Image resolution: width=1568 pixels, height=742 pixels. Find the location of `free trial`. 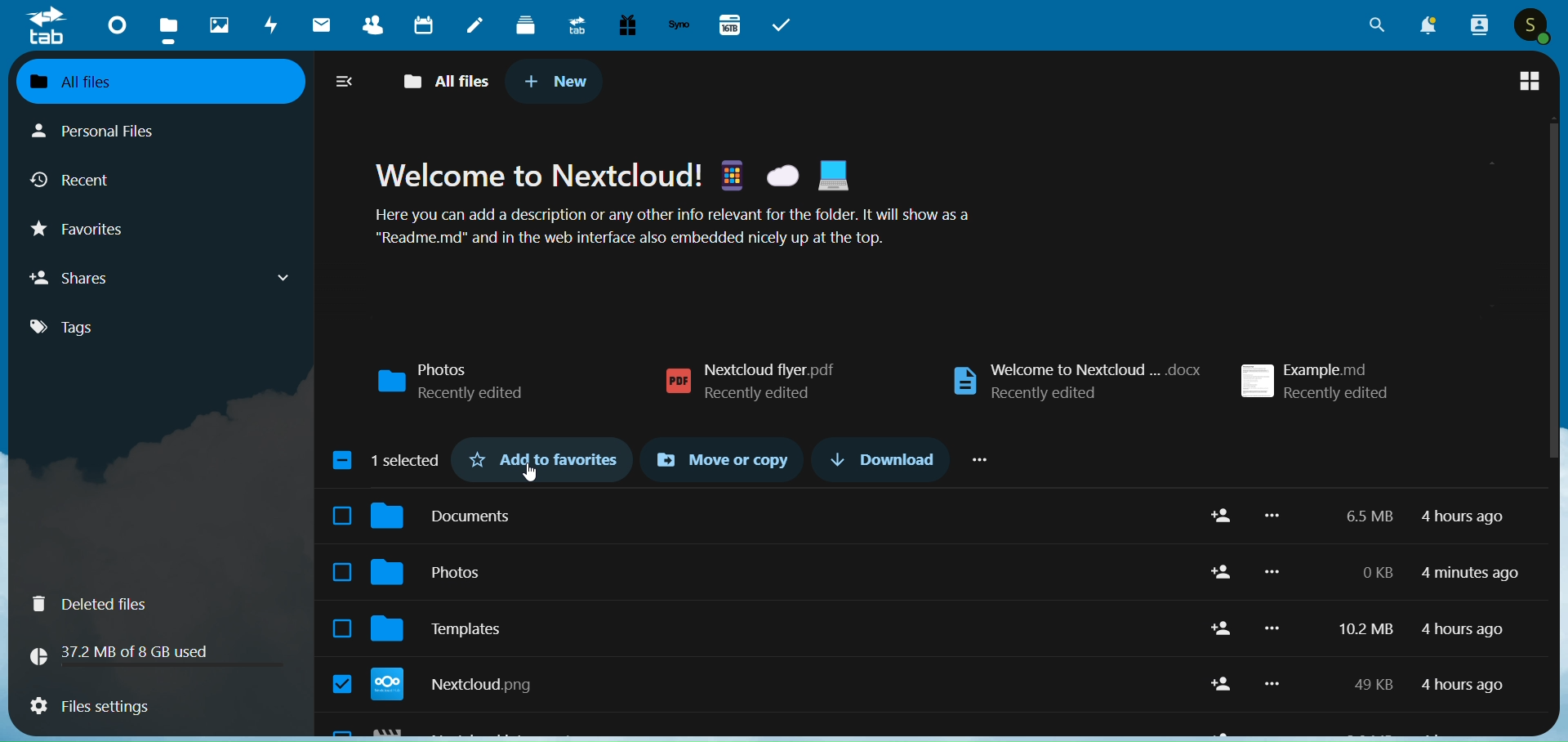

free trial is located at coordinates (627, 25).